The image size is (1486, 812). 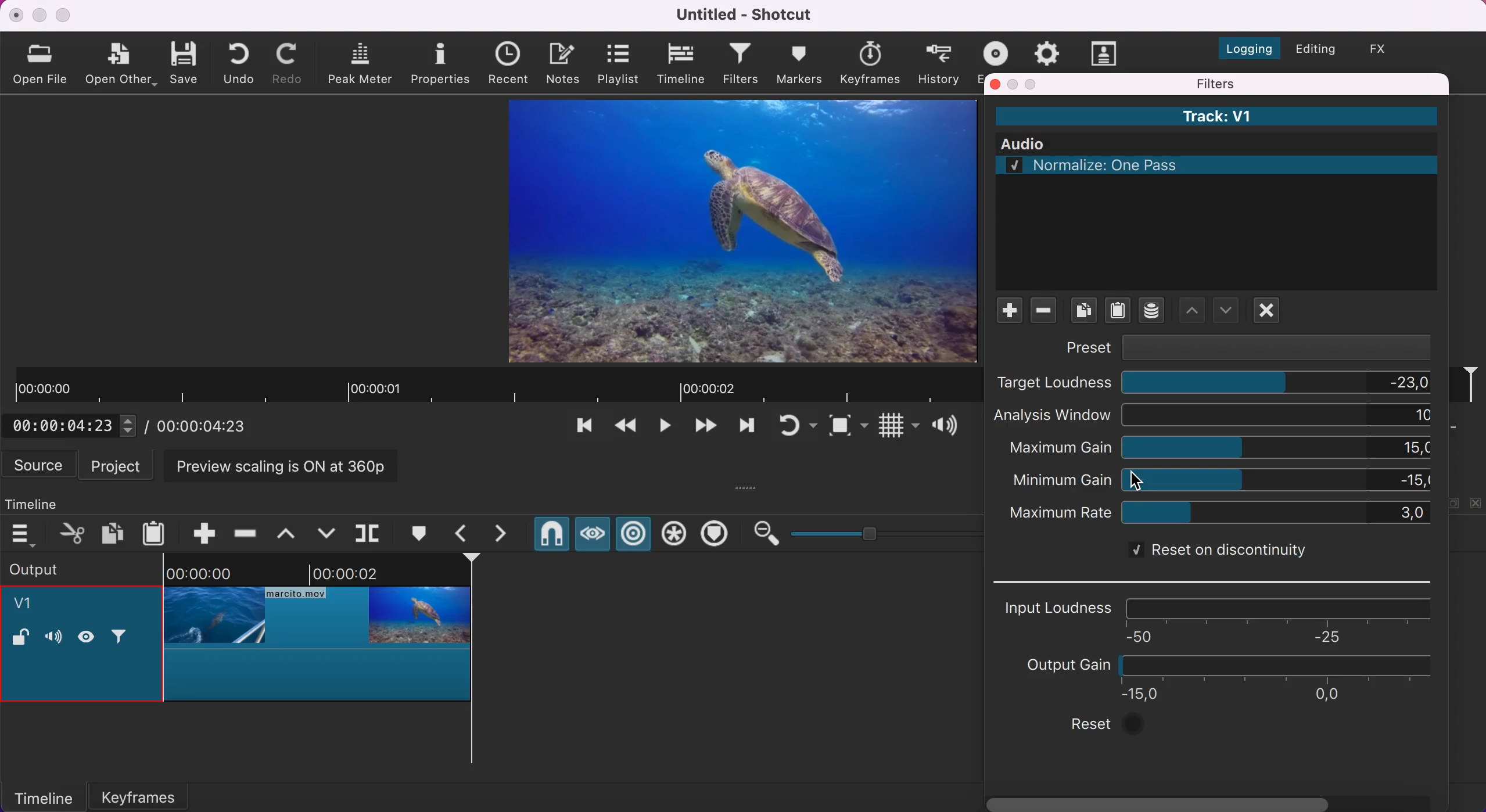 I want to click on switch to the editing layout, so click(x=1314, y=51).